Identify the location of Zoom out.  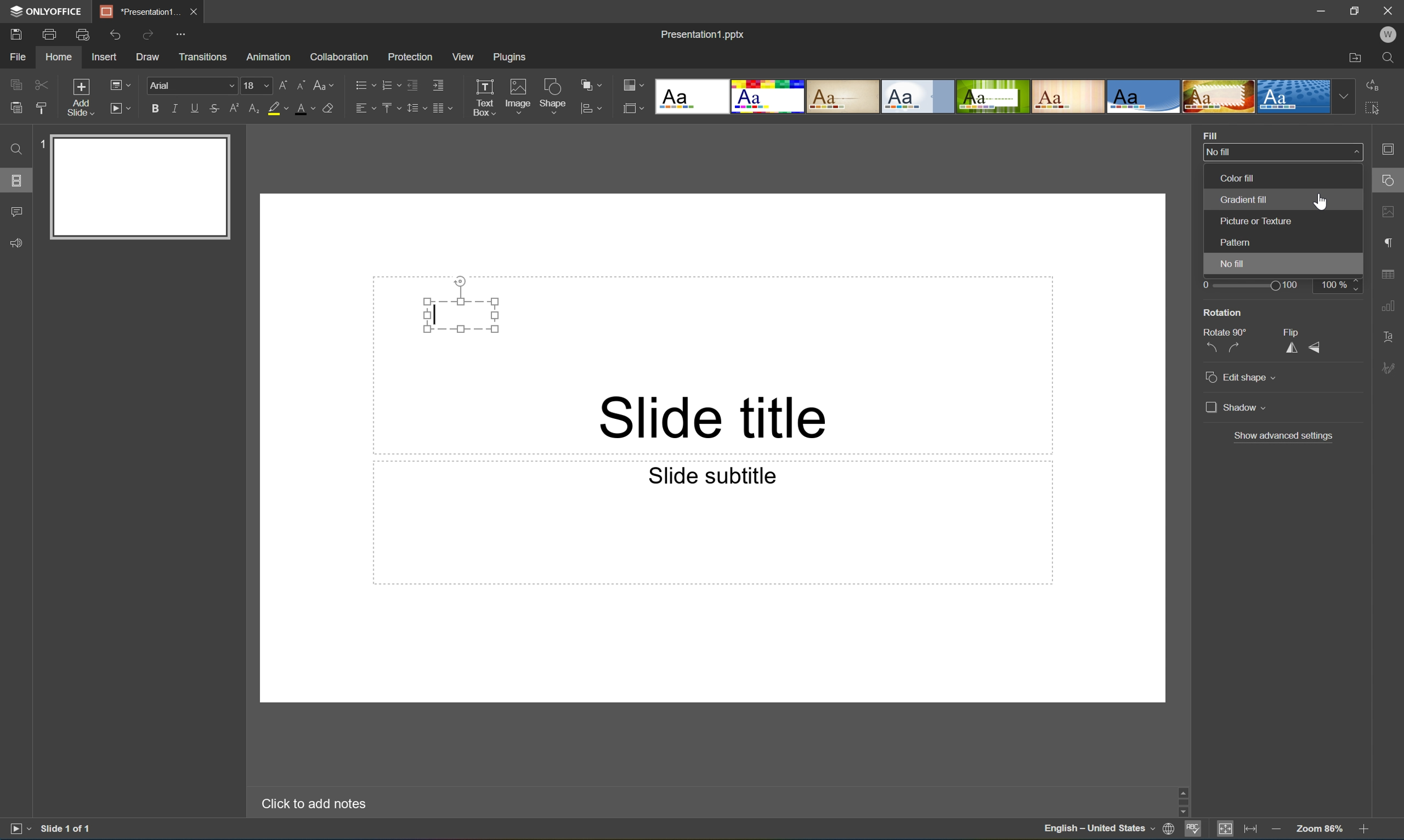
(1275, 829).